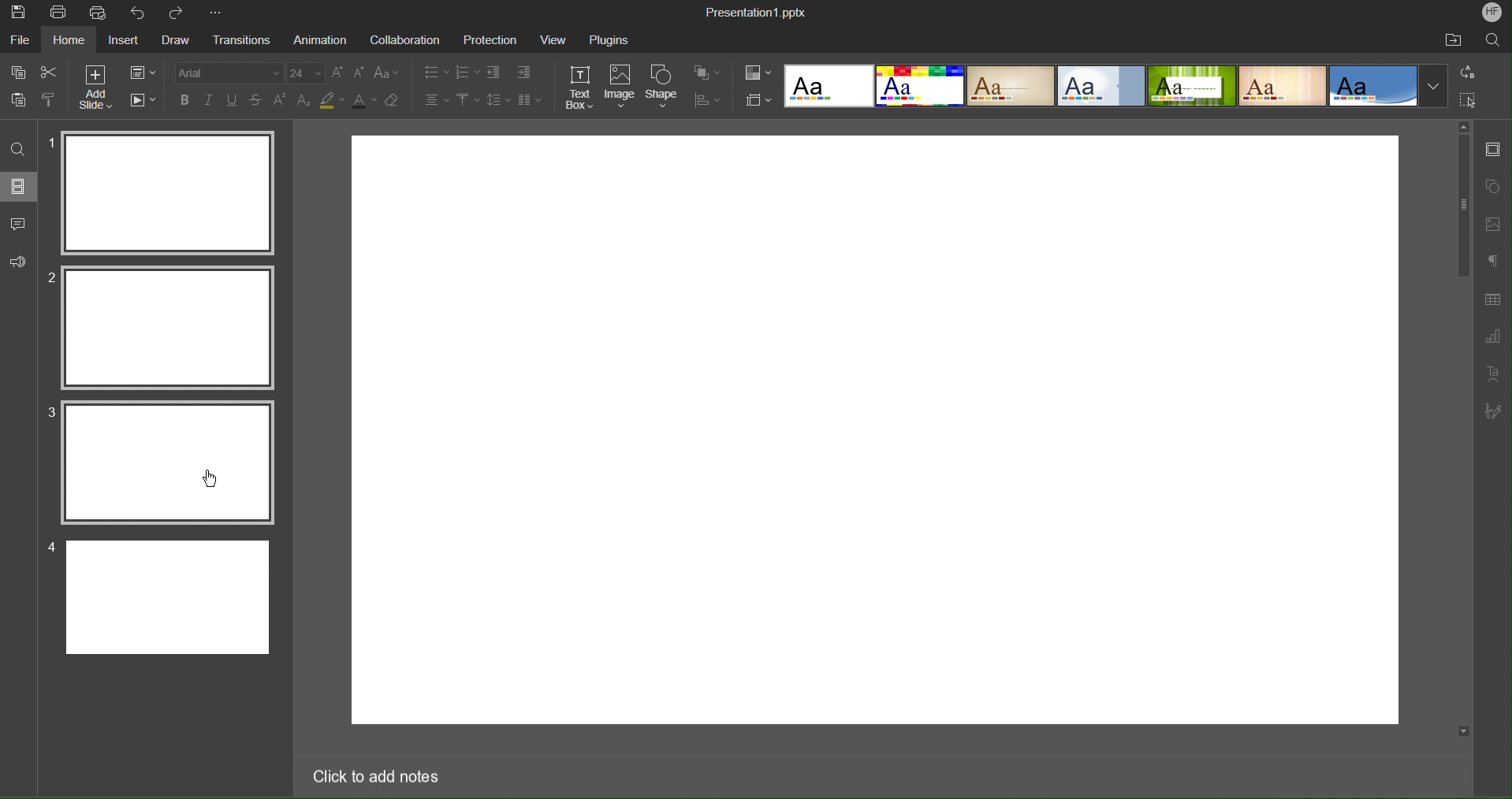 Image resolution: width=1512 pixels, height=799 pixels. What do you see at coordinates (257, 101) in the screenshot?
I see `strikethrough` at bounding box center [257, 101].